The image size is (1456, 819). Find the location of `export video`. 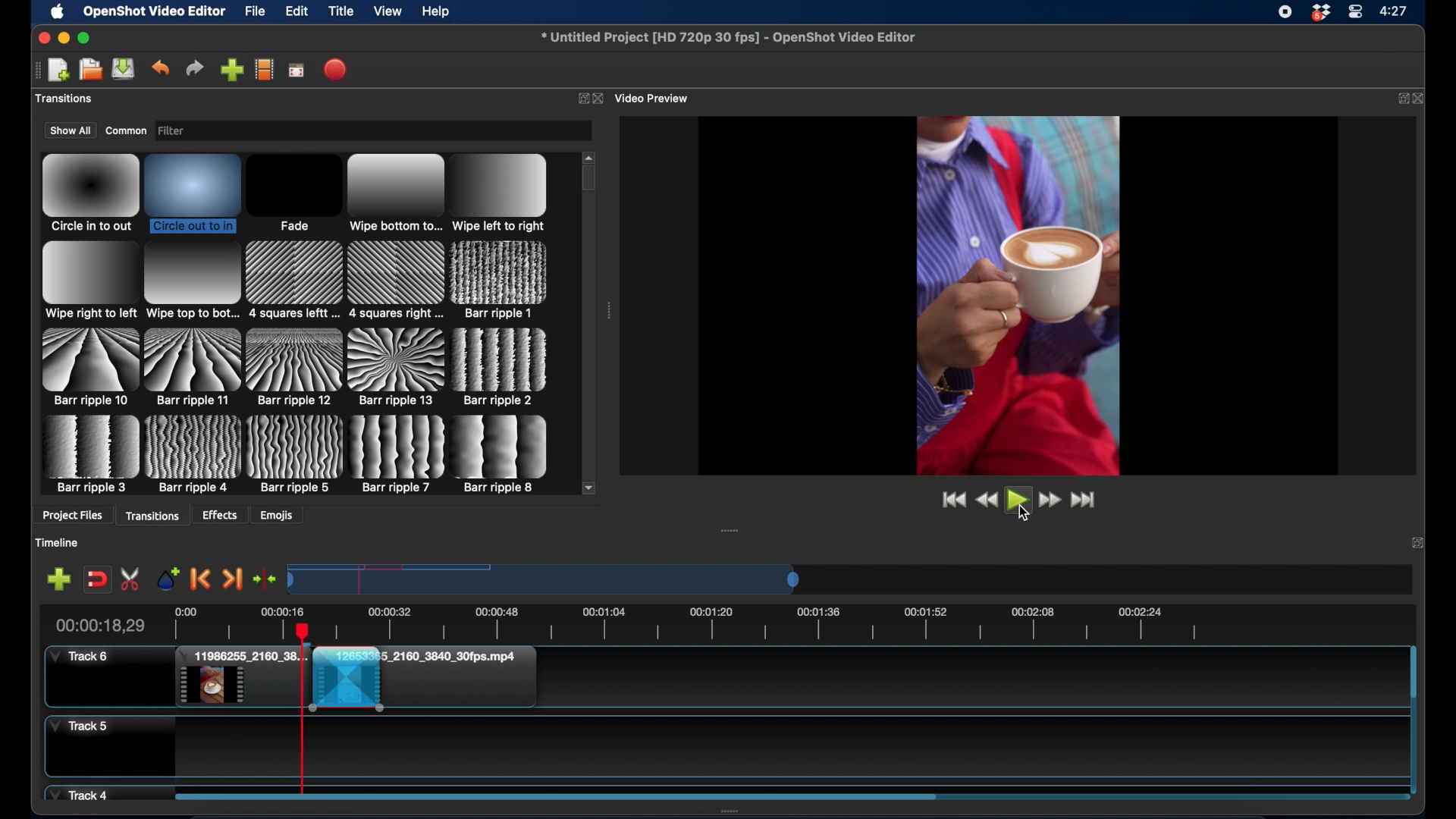

export video is located at coordinates (336, 69).